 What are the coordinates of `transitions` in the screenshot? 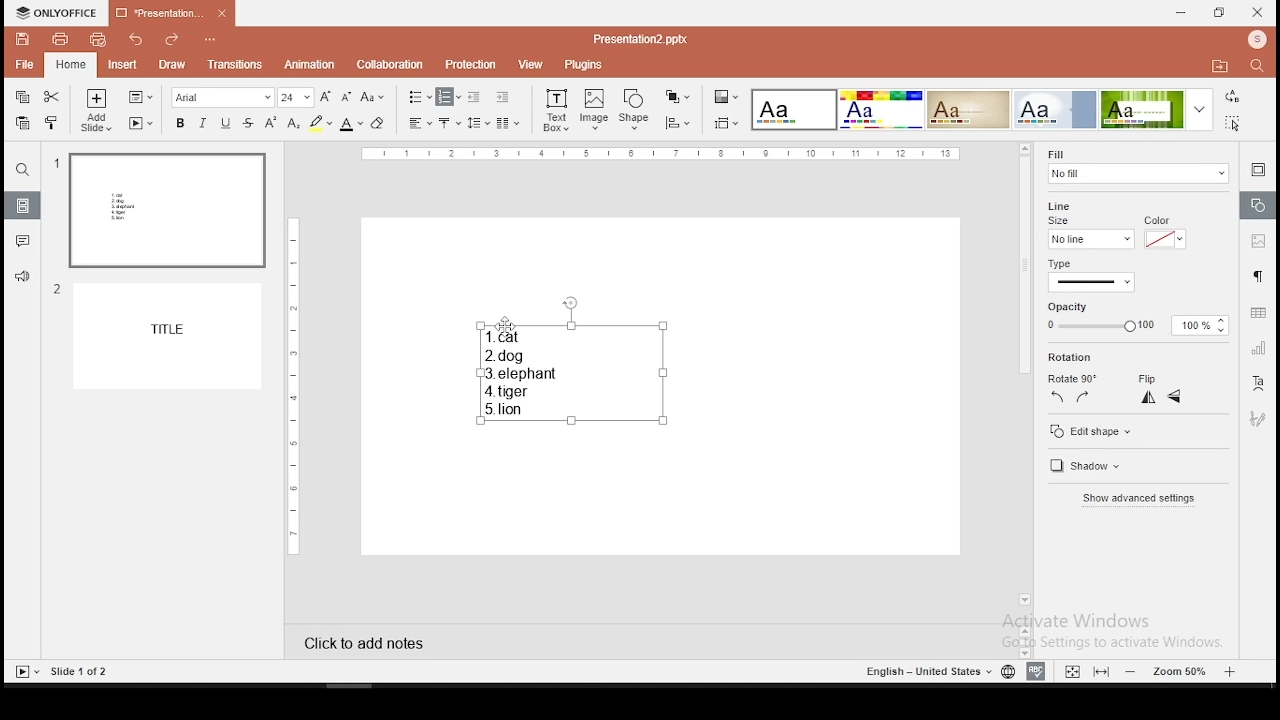 It's located at (232, 66).